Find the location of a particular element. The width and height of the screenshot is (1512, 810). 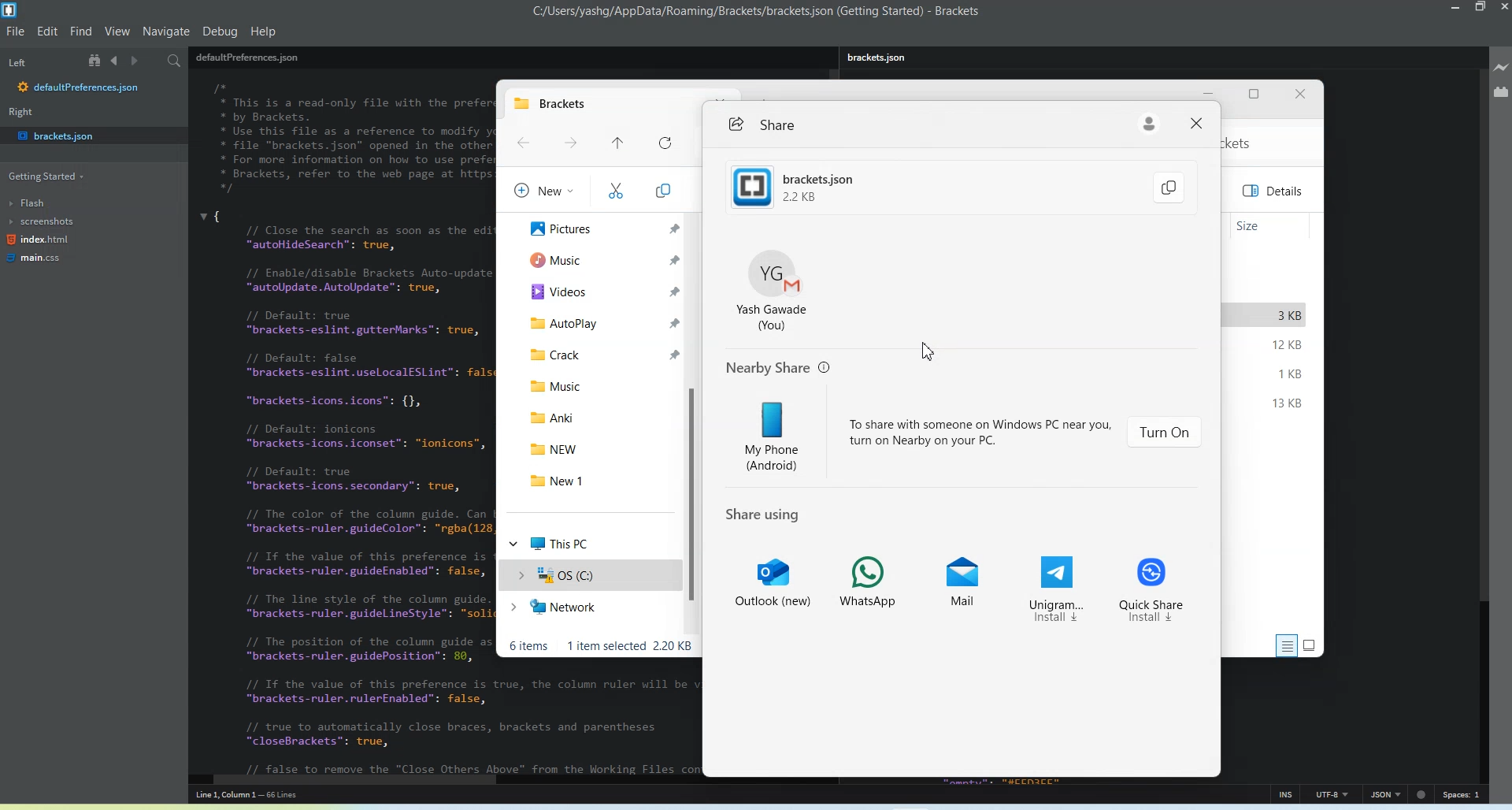

dot icon is located at coordinates (1423, 794).